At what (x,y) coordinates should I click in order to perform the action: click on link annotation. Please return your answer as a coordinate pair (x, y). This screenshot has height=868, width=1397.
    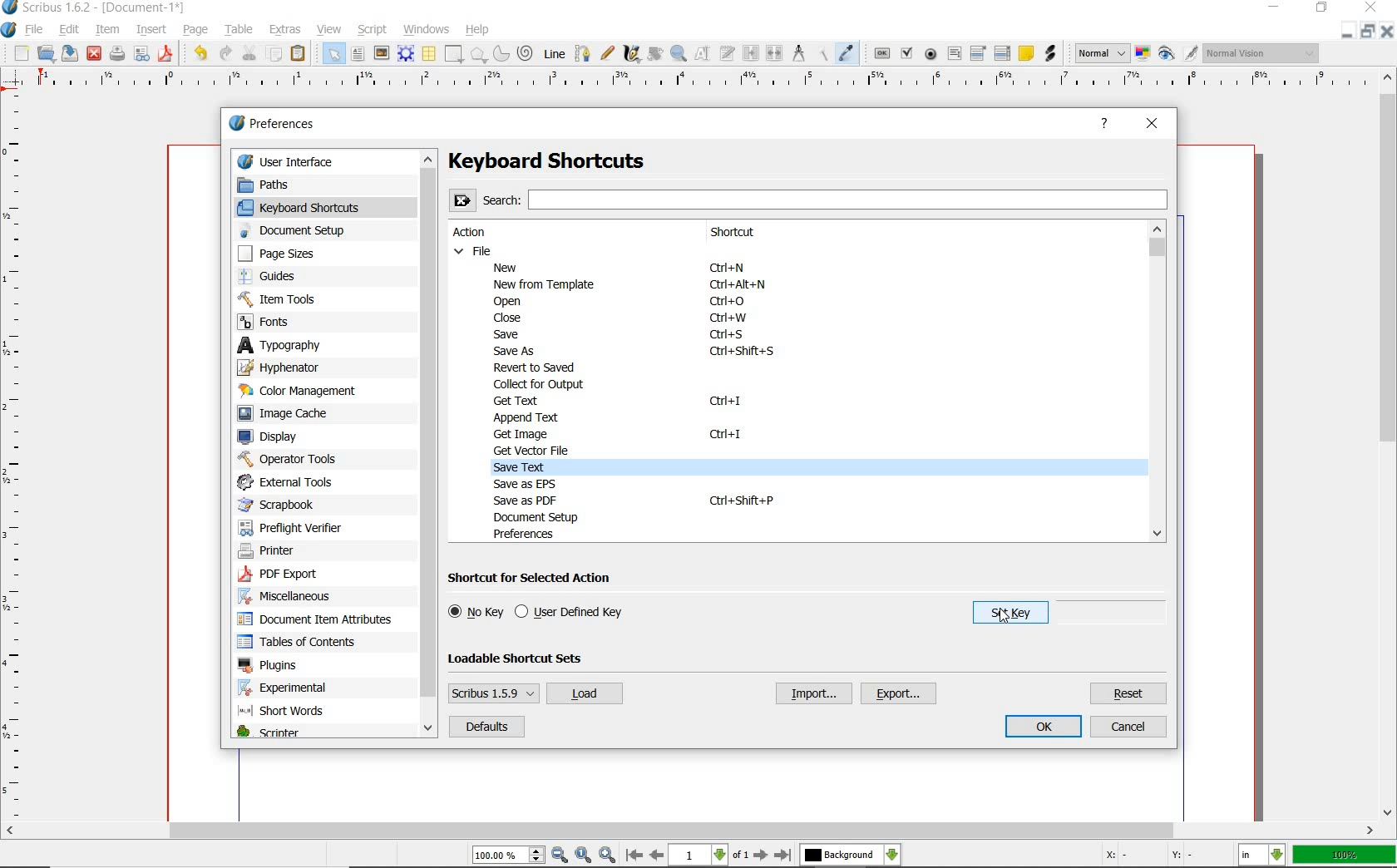
    Looking at the image, I should click on (1050, 52).